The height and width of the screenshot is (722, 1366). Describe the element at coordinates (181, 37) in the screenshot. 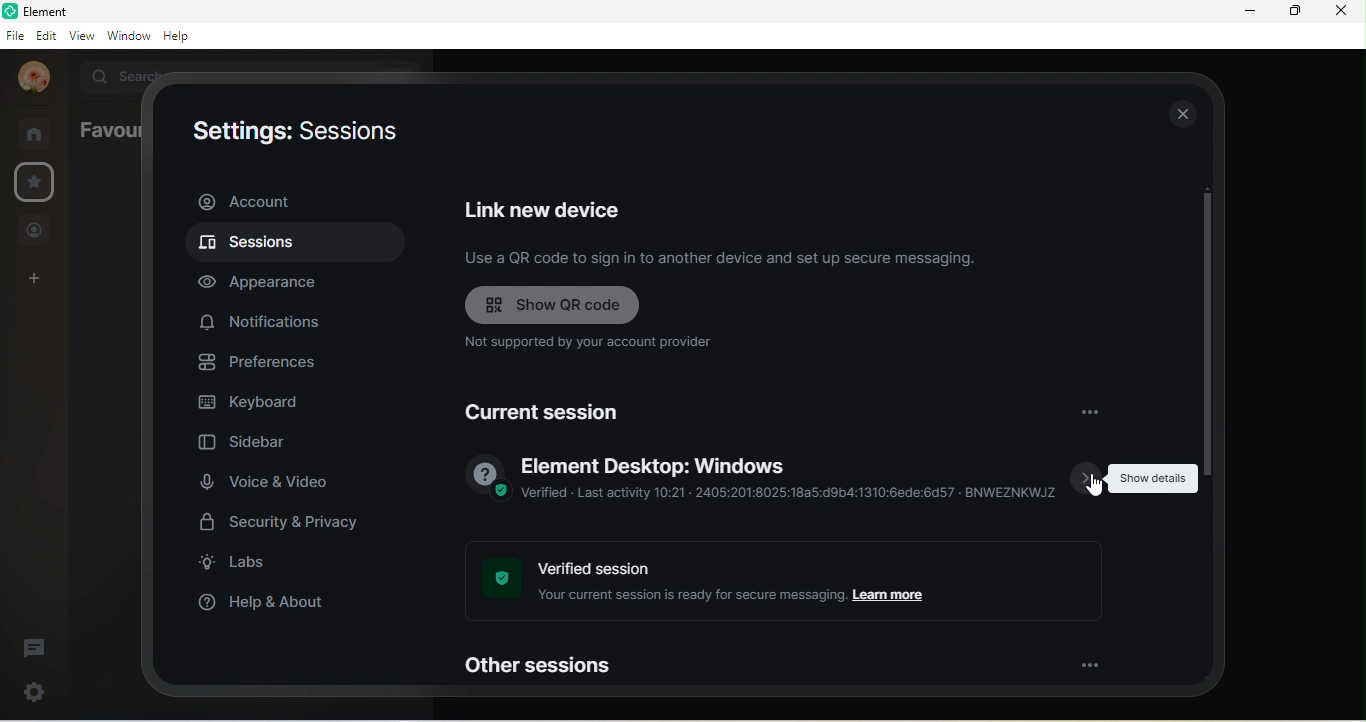

I see `help` at that location.